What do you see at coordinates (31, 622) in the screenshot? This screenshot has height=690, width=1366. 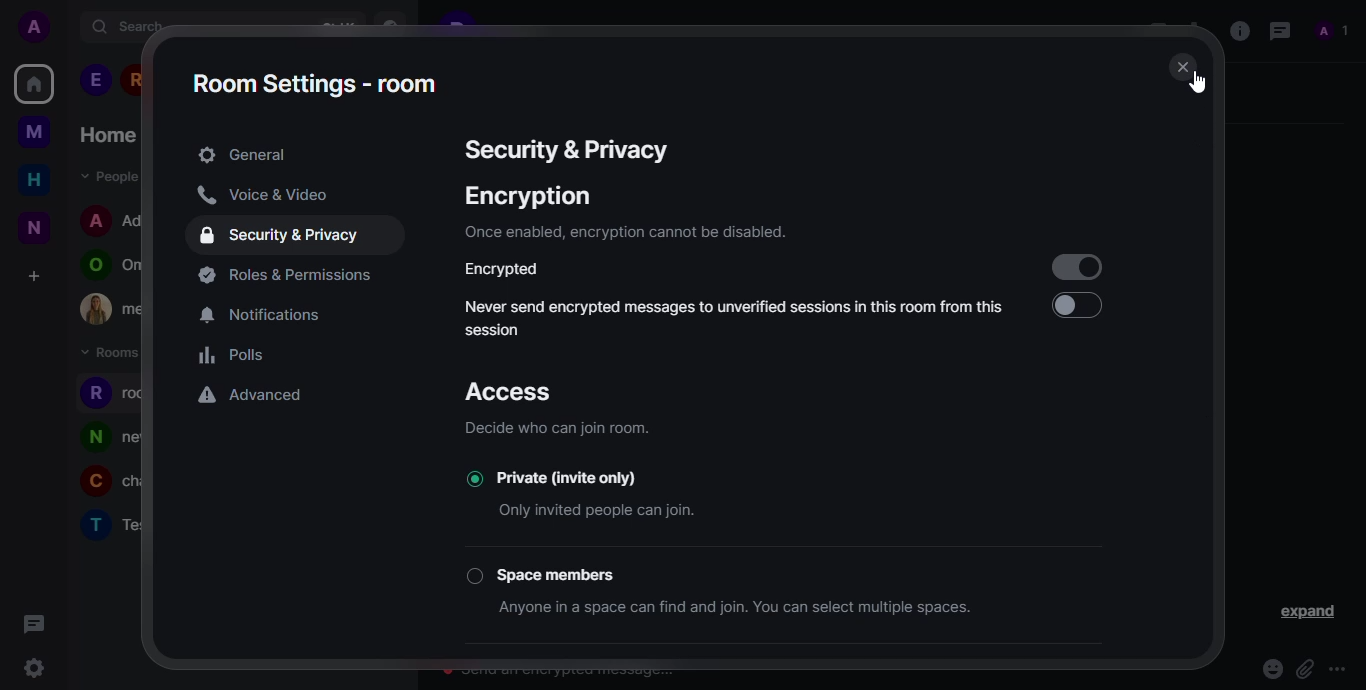 I see `threads` at bounding box center [31, 622].